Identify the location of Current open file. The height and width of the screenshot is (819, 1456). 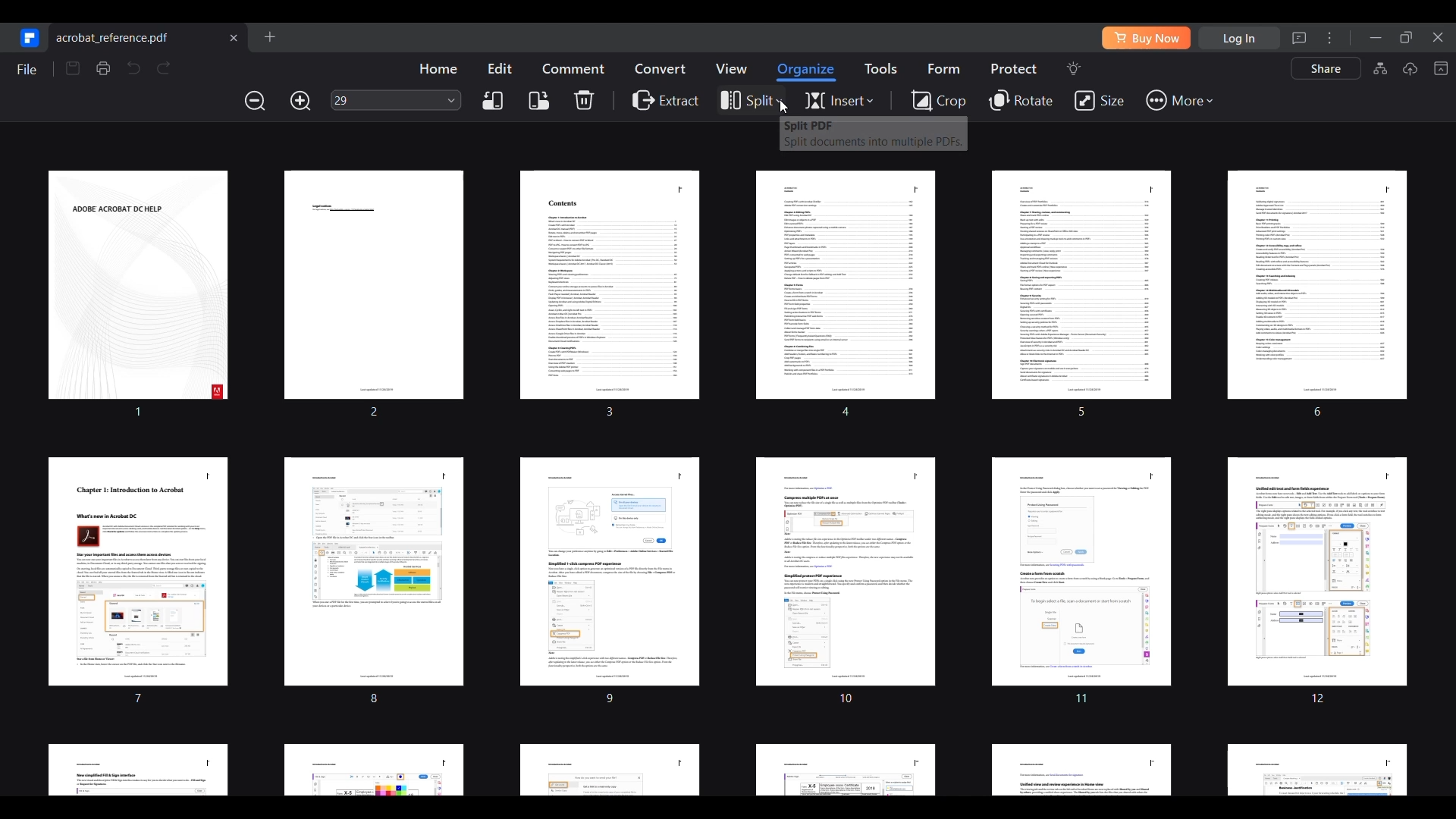
(149, 36).